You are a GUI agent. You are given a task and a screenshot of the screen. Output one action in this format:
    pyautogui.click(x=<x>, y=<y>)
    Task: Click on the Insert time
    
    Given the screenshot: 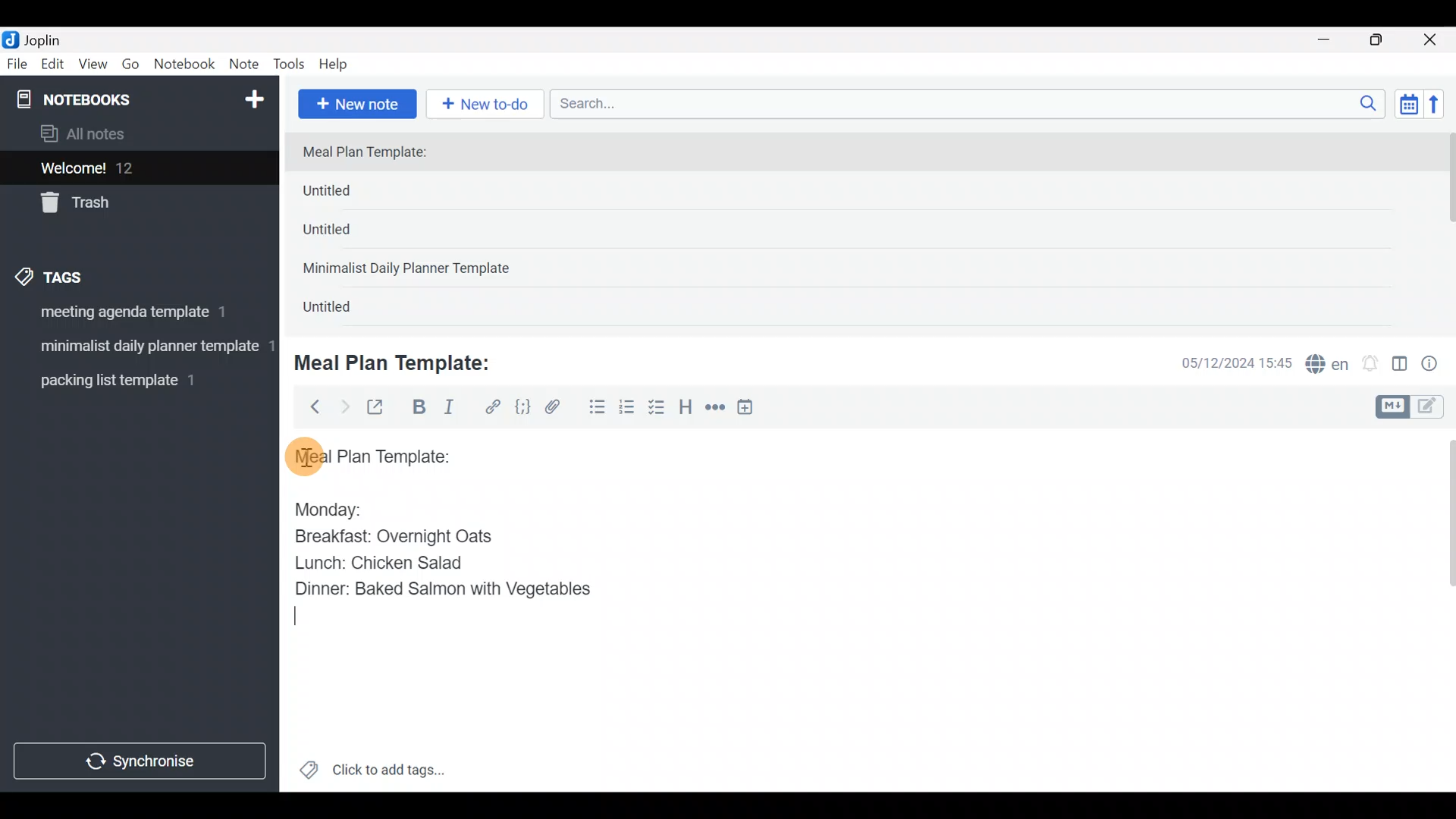 What is the action you would take?
    pyautogui.click(x=752, y=409)
    